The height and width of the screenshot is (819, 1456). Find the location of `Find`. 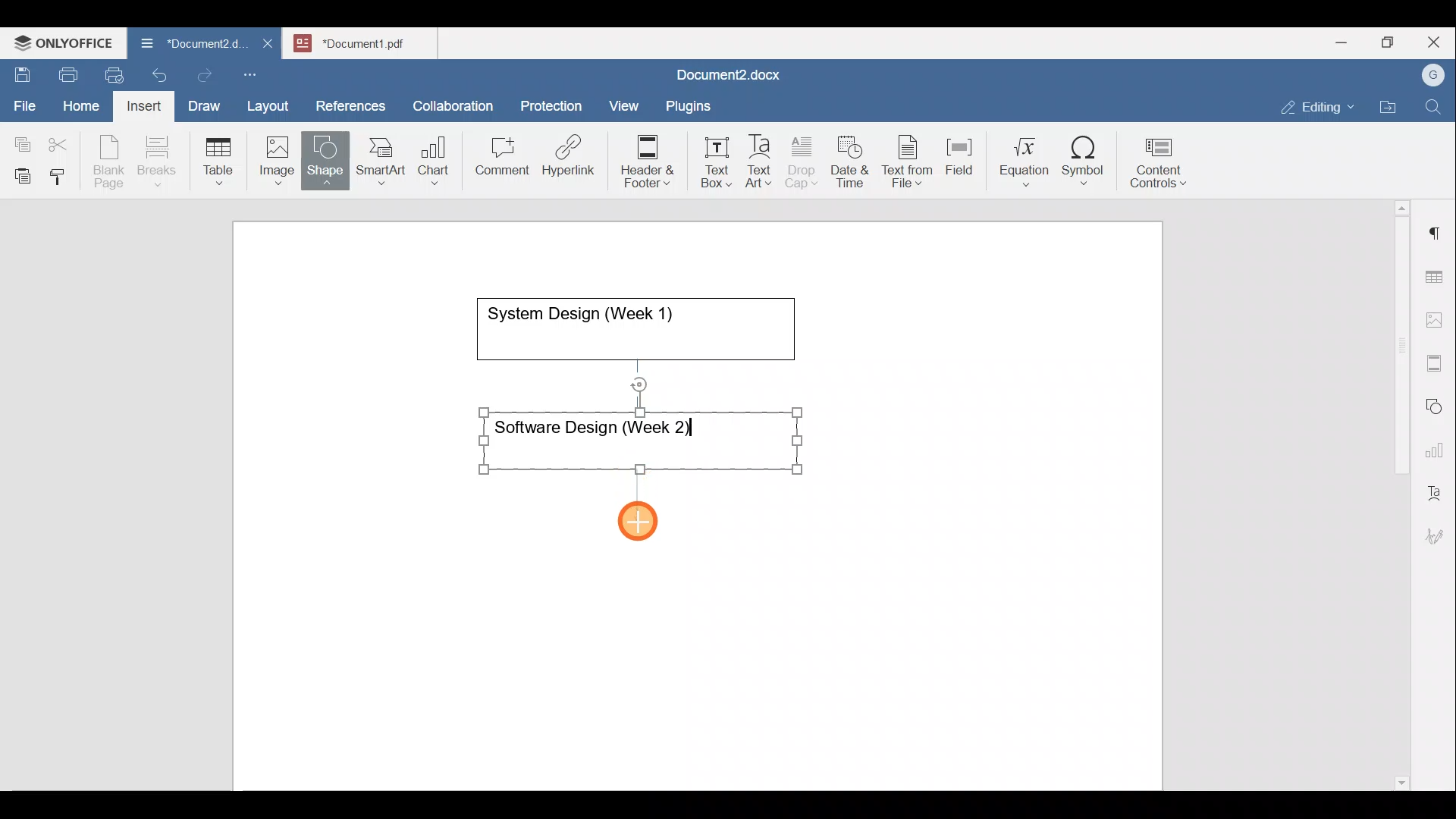

Find is located at coordinates (1435, 108).